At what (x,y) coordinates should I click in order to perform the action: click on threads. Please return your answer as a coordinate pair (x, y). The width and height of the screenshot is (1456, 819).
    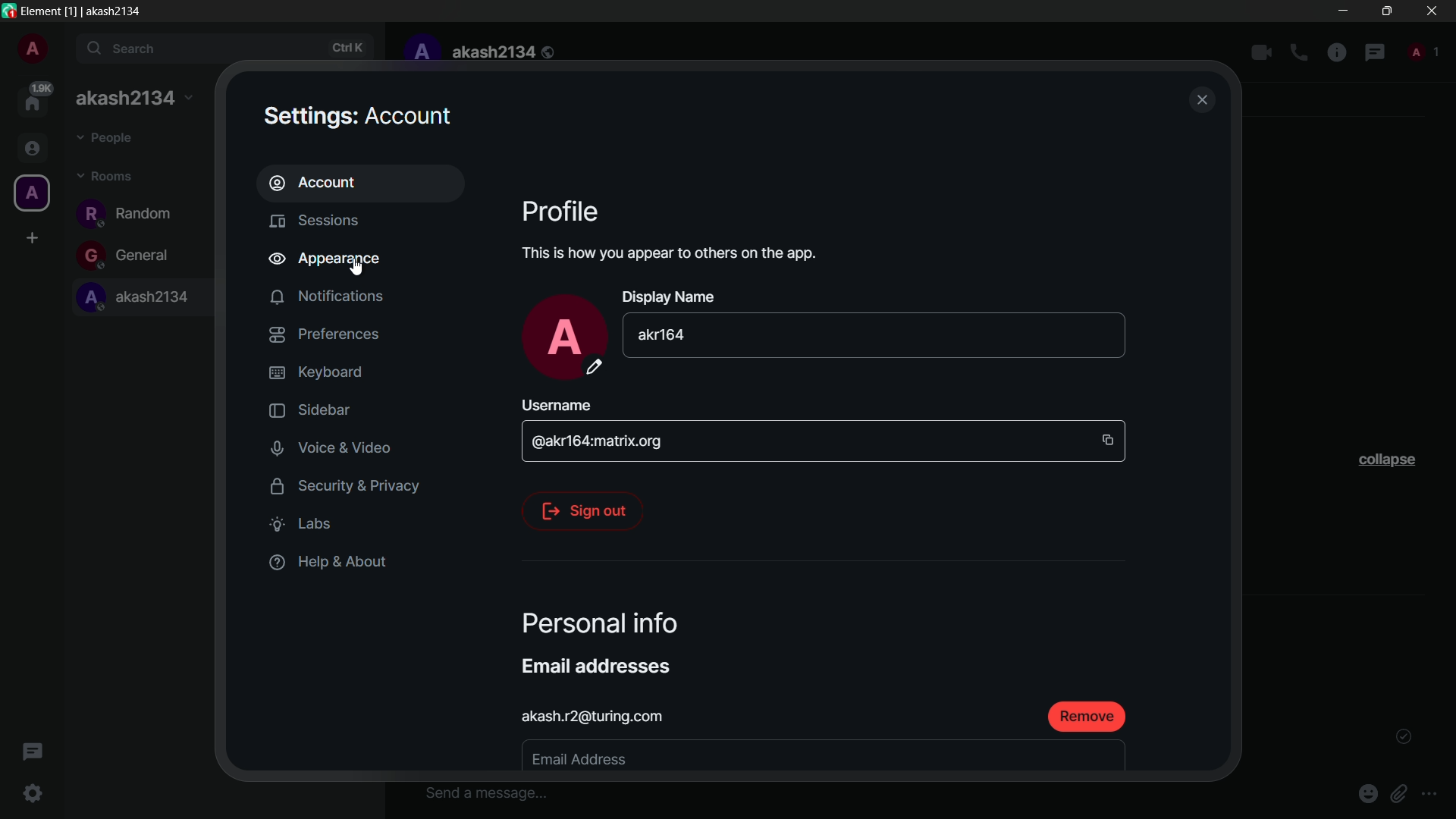
    Looking at the image, I should click on (1375, 54).